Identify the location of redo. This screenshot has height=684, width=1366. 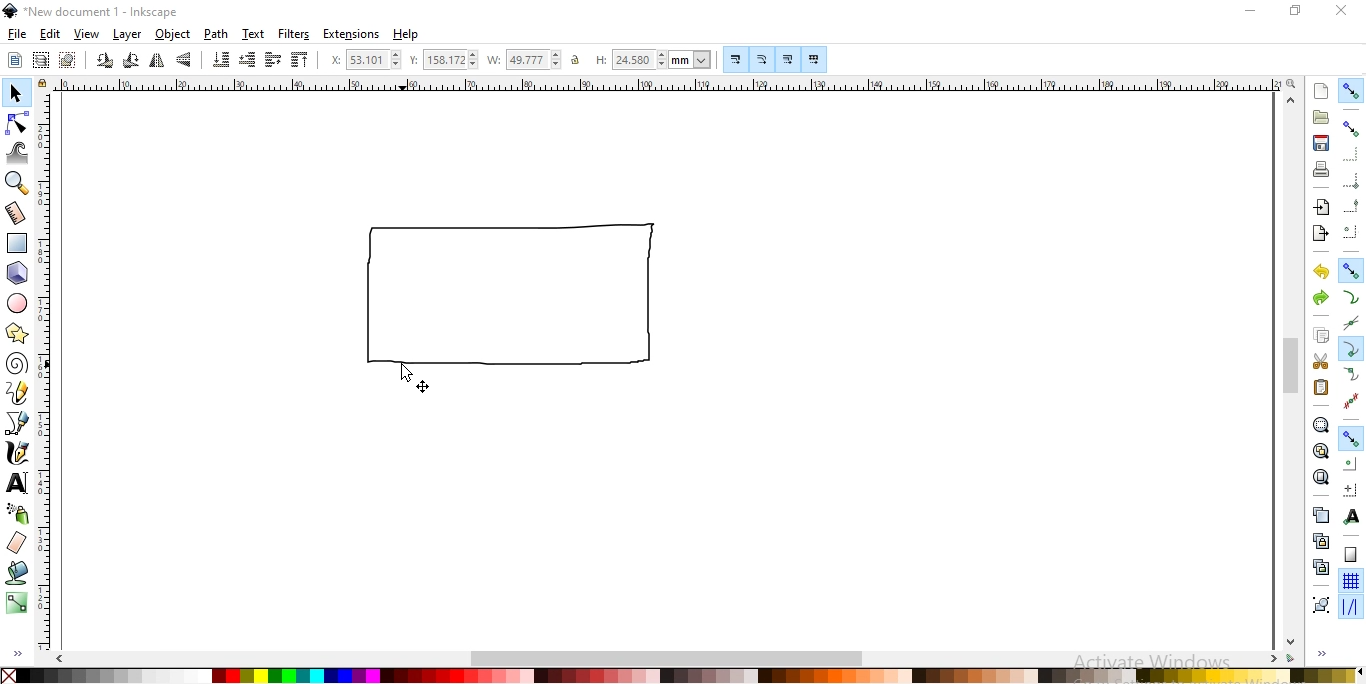
(1320, 297).